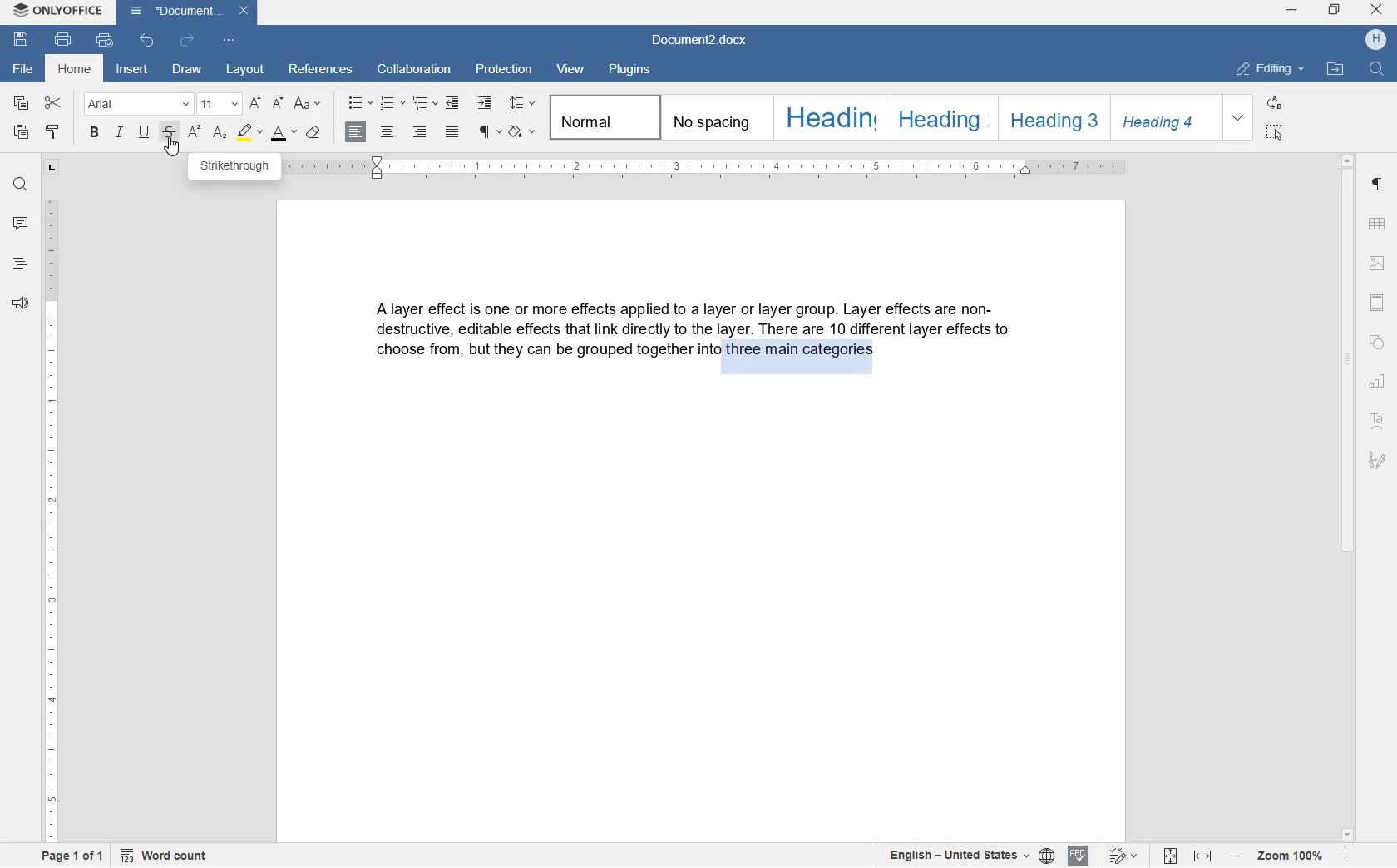 This screenshot has width=1397, height=868. Describe the element at coordinates (172, 148) in the screenshot. I see `CURSOR` at that location.